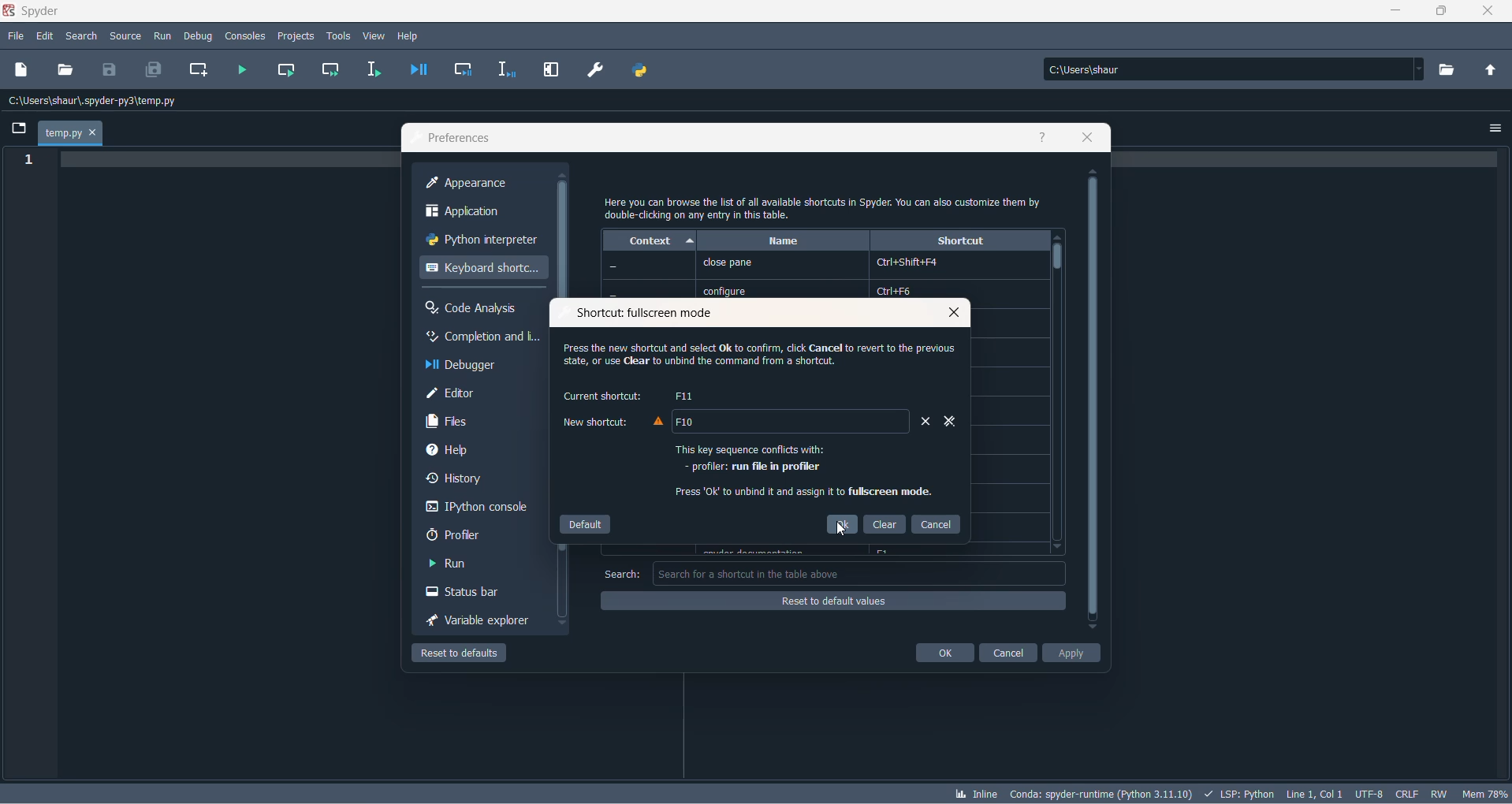 The width and height of the screenshot is (1512, 804). I want to click on create new cell, so click(196, 70).